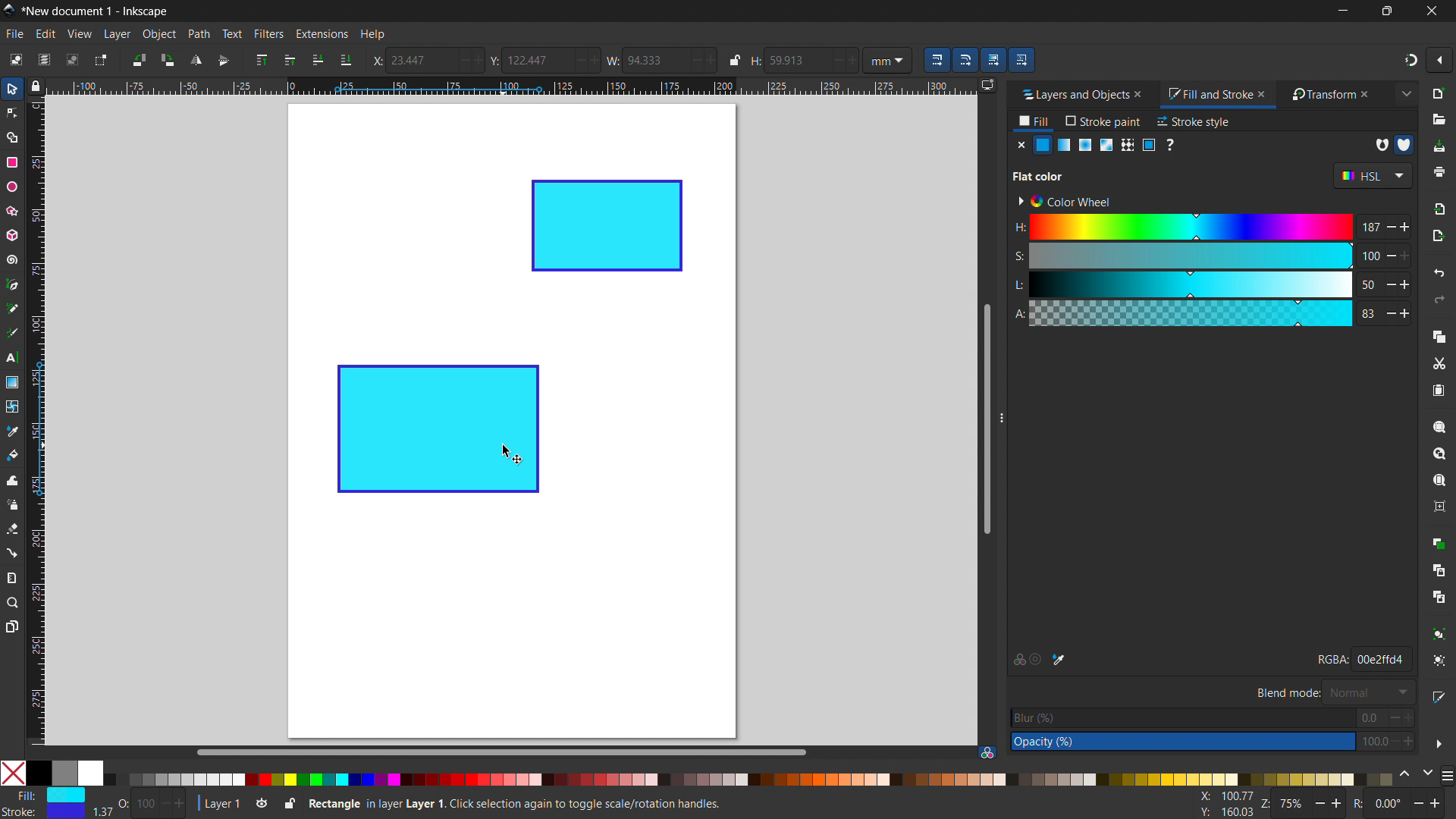 The width and height of the screenshot is (1456, 819). I want to click on No color, so click(14, 772).